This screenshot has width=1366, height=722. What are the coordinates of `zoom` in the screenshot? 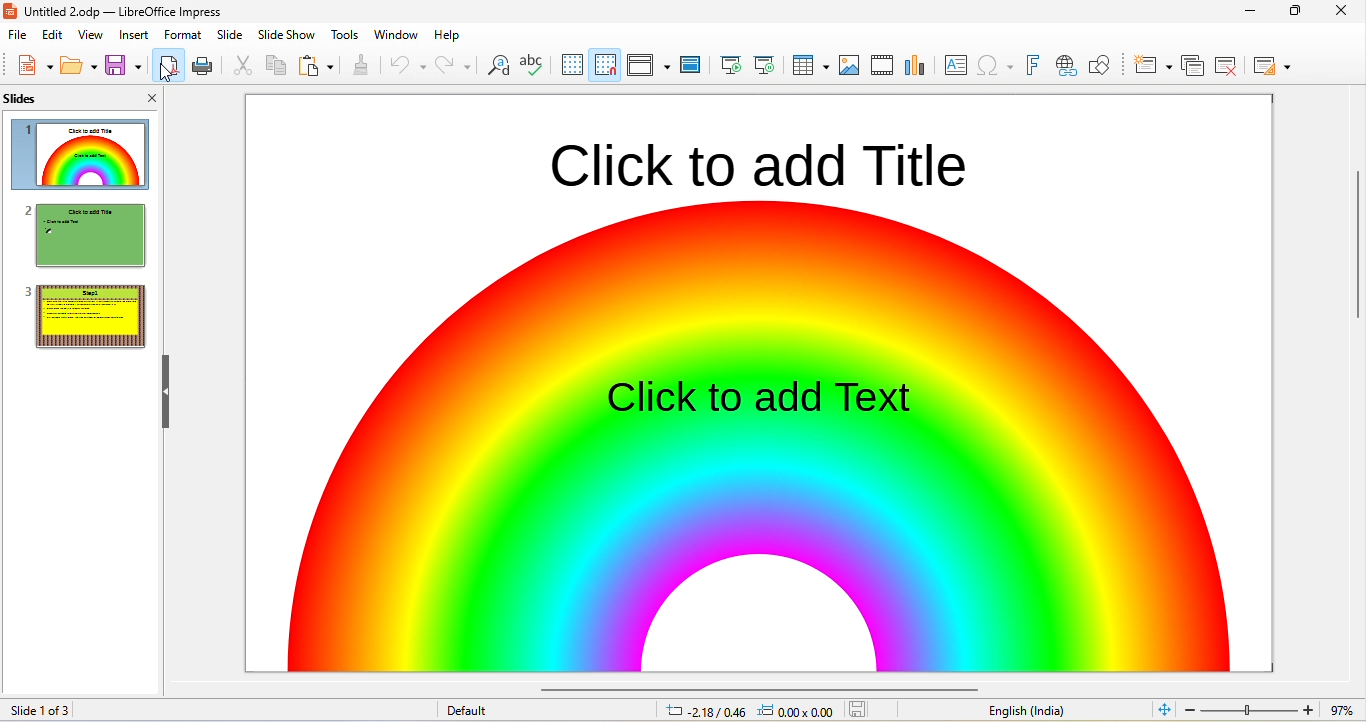 It's located at (1273, 708).